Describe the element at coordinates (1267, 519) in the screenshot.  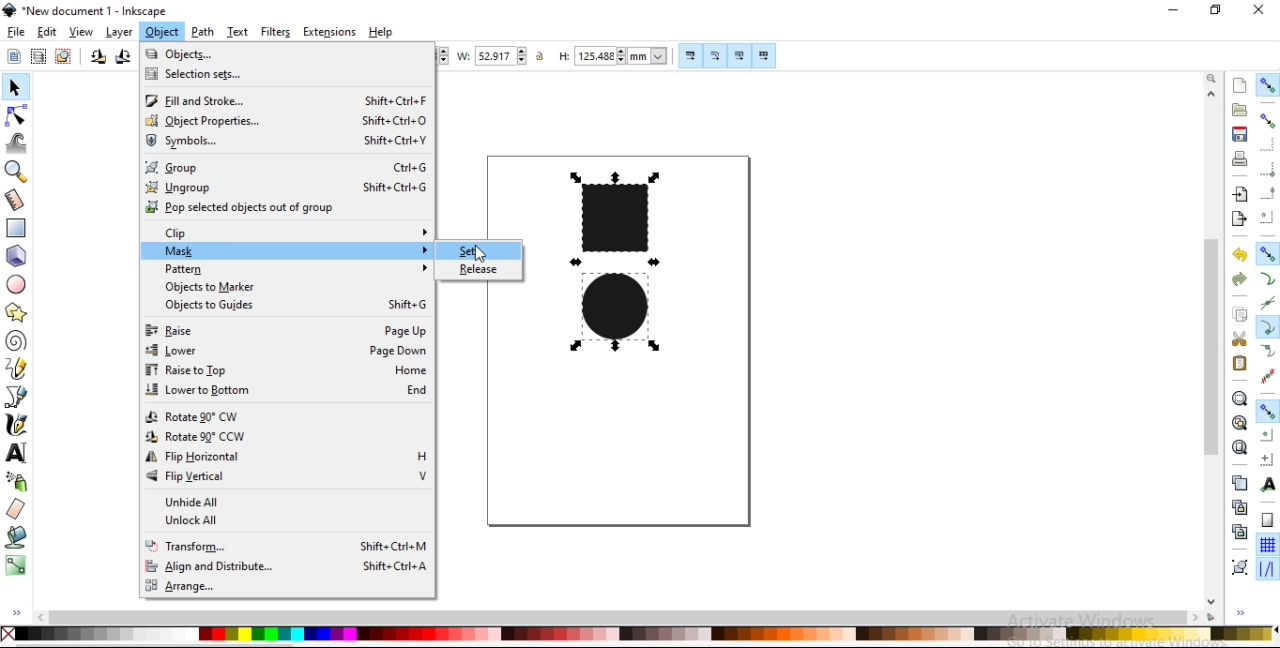
I see `snap to page borders` at that location.